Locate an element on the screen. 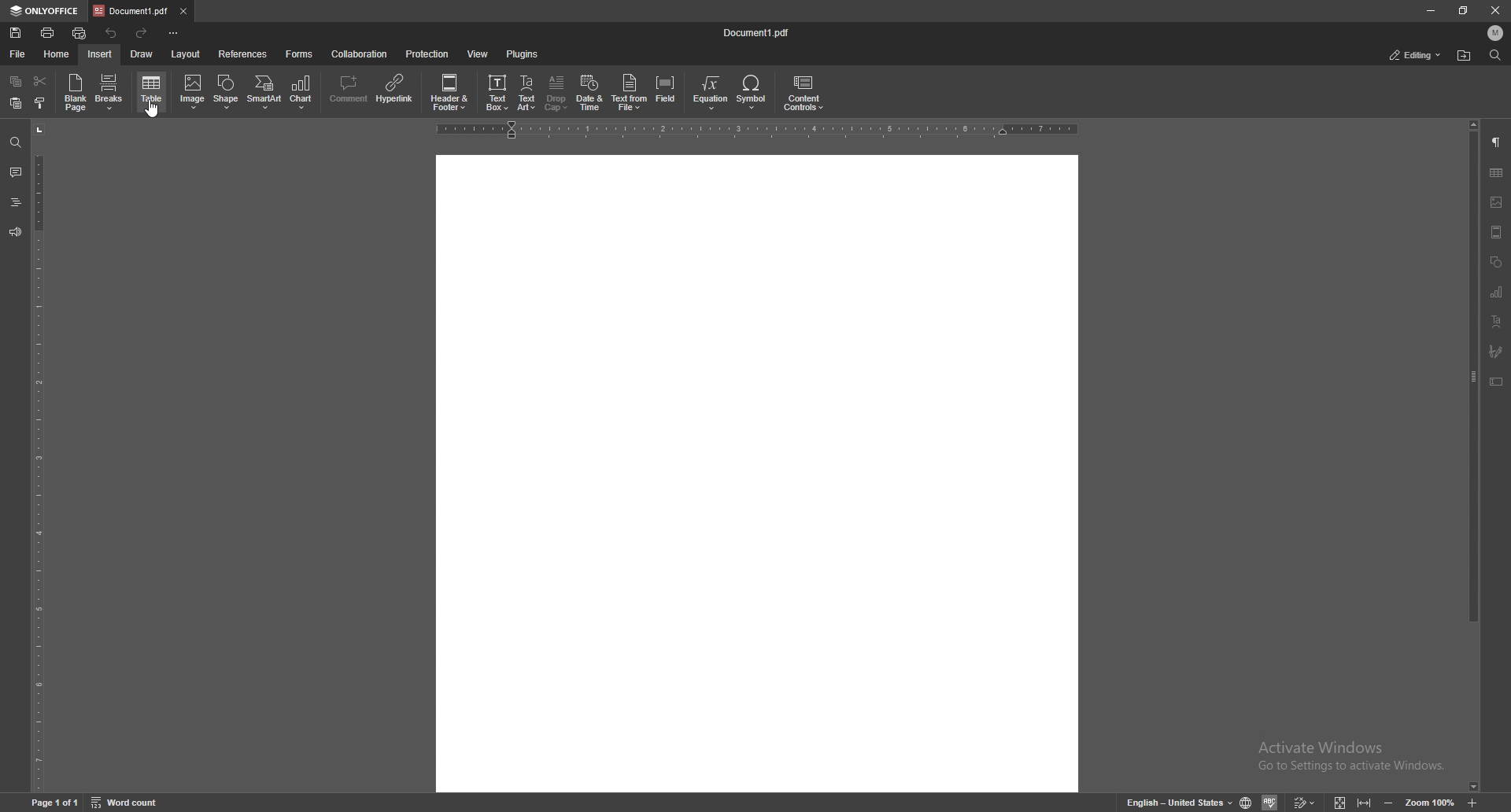 The height and width of the screenshot is (812, 1511). redo is located at coordinates (142, 35).